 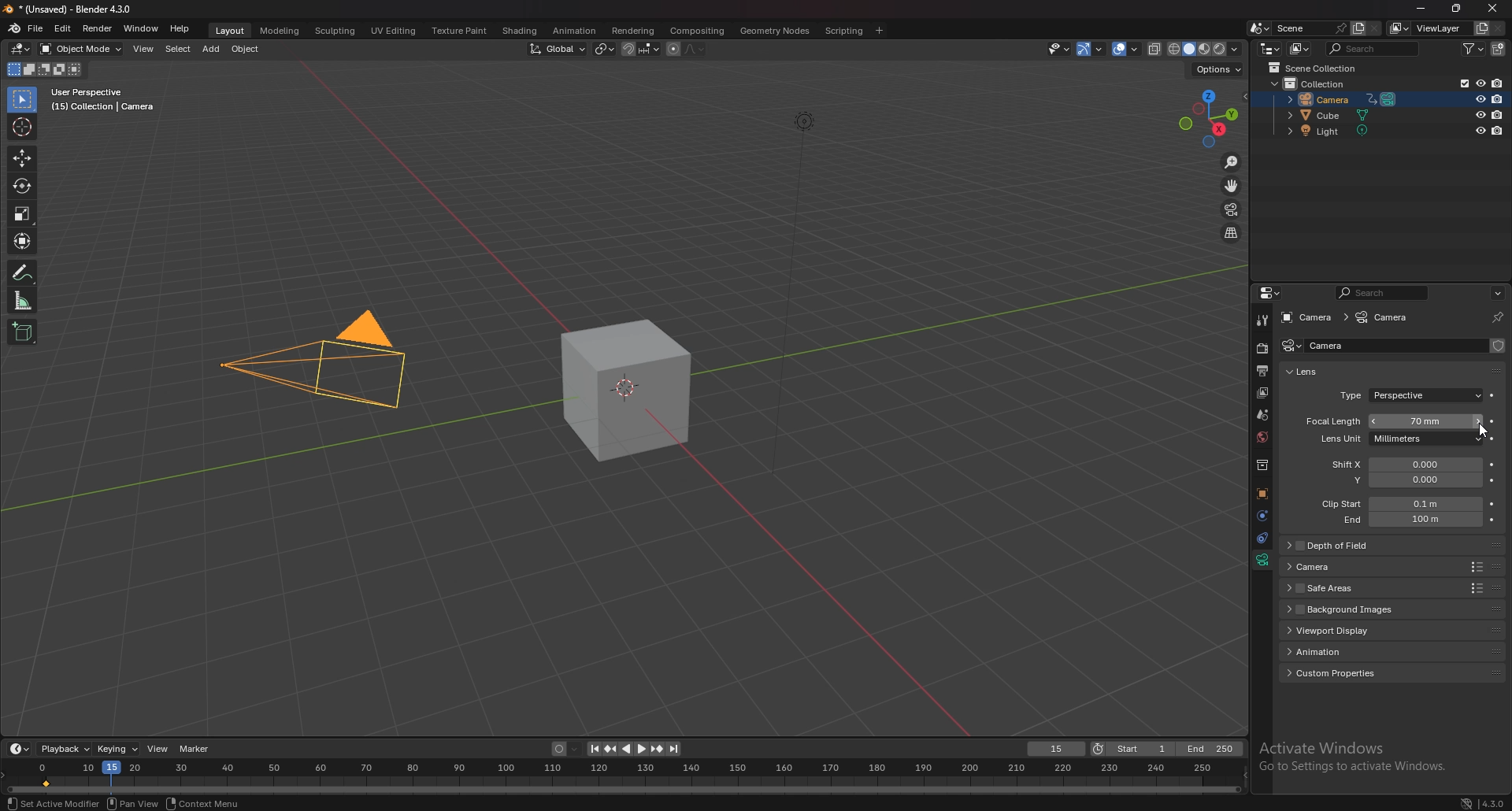 What do you see at coordinates (1262, 320) in the screenshot?
I see `tool` at bounding box center [1262, 320].